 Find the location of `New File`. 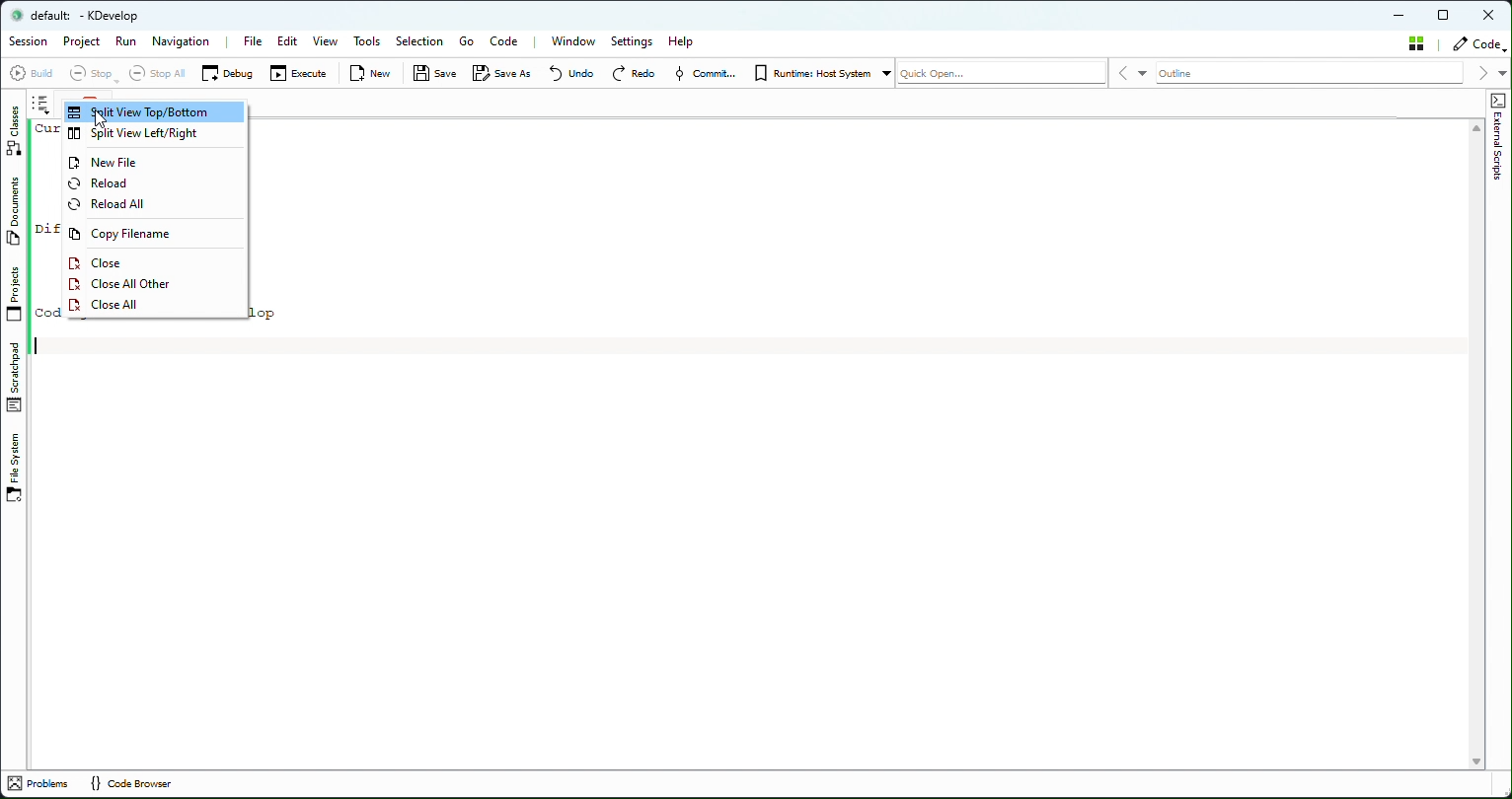

New File is located at coordinates (152, 163).